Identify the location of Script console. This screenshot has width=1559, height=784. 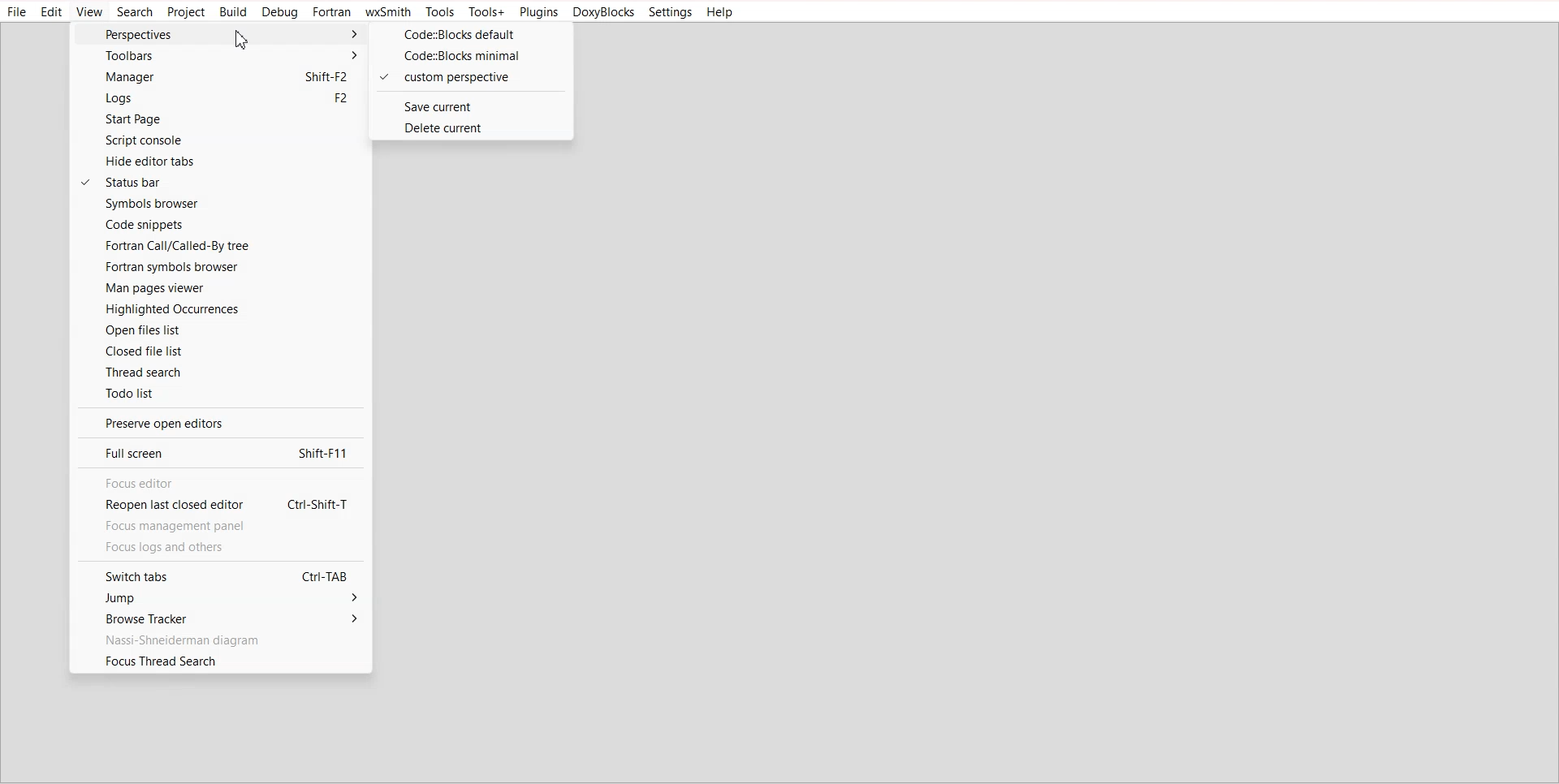
(217, 140).